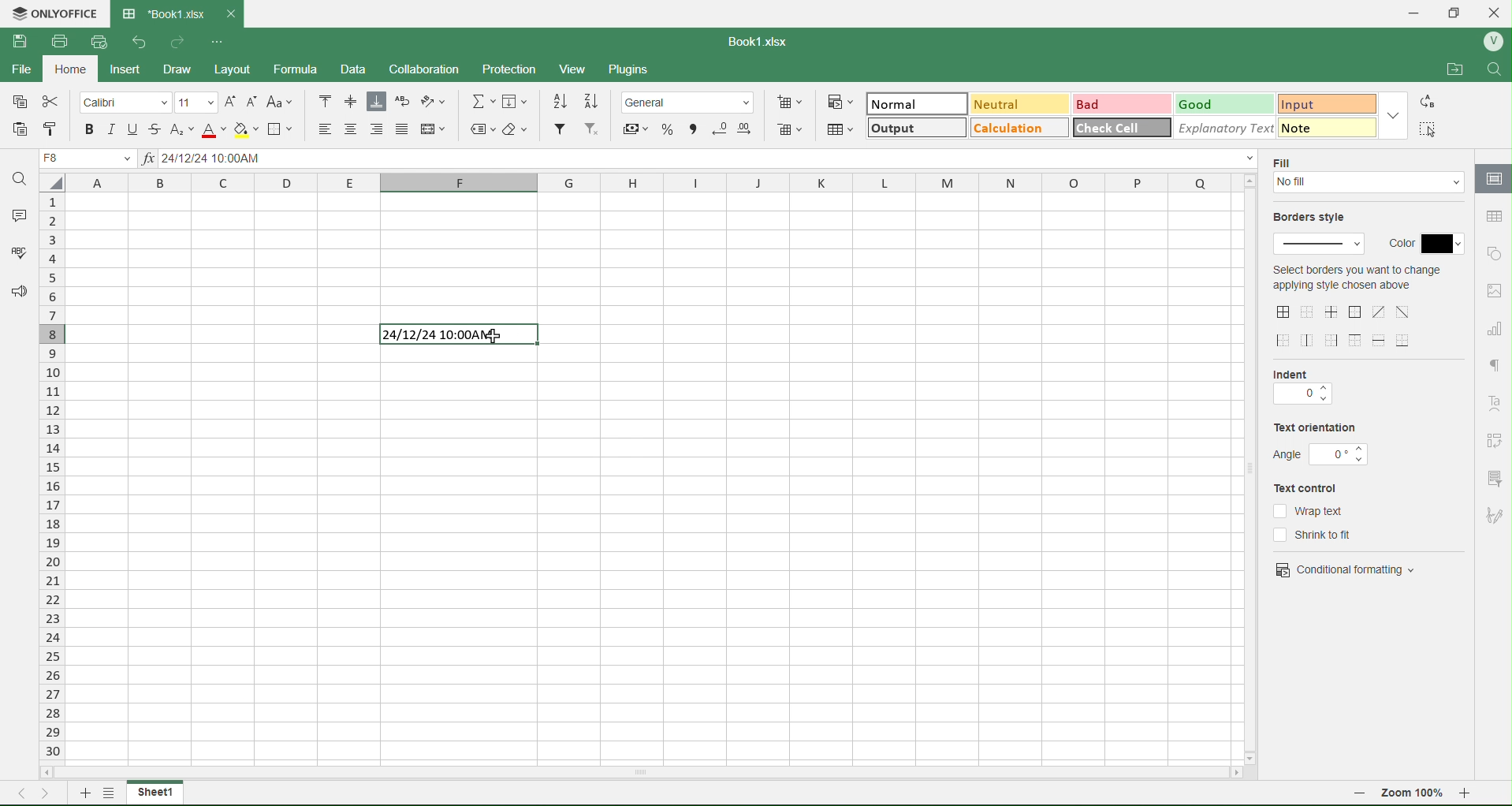 This screenshot has width=1512, height=806. What do you see at coordinates (1309, 510) in the screenshot?
I see `wrap text` at bounding box center [1309, 510].